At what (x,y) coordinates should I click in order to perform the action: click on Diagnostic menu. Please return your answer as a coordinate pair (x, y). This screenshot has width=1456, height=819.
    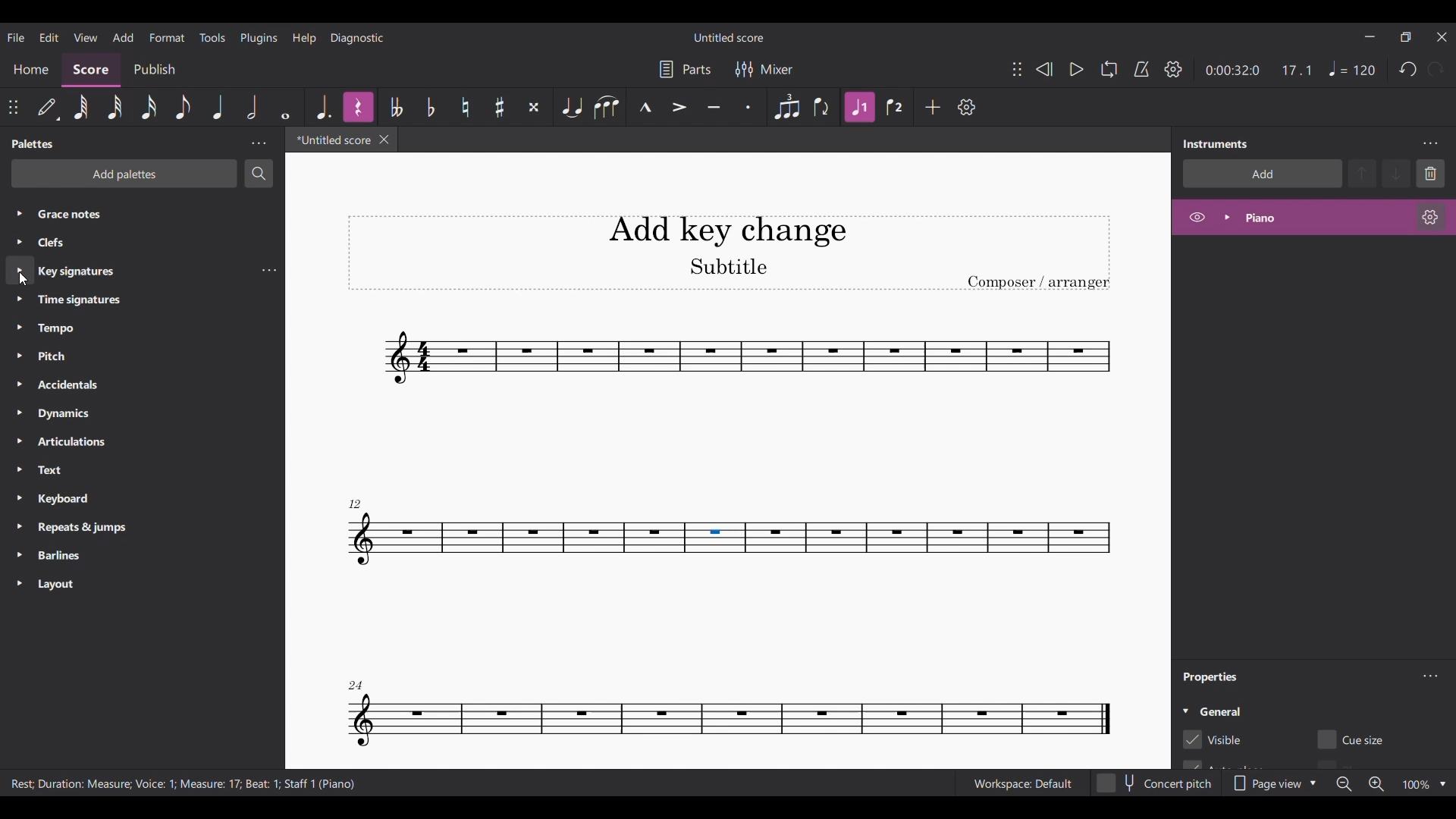
    Looking at the image, I should click on (357, 39).